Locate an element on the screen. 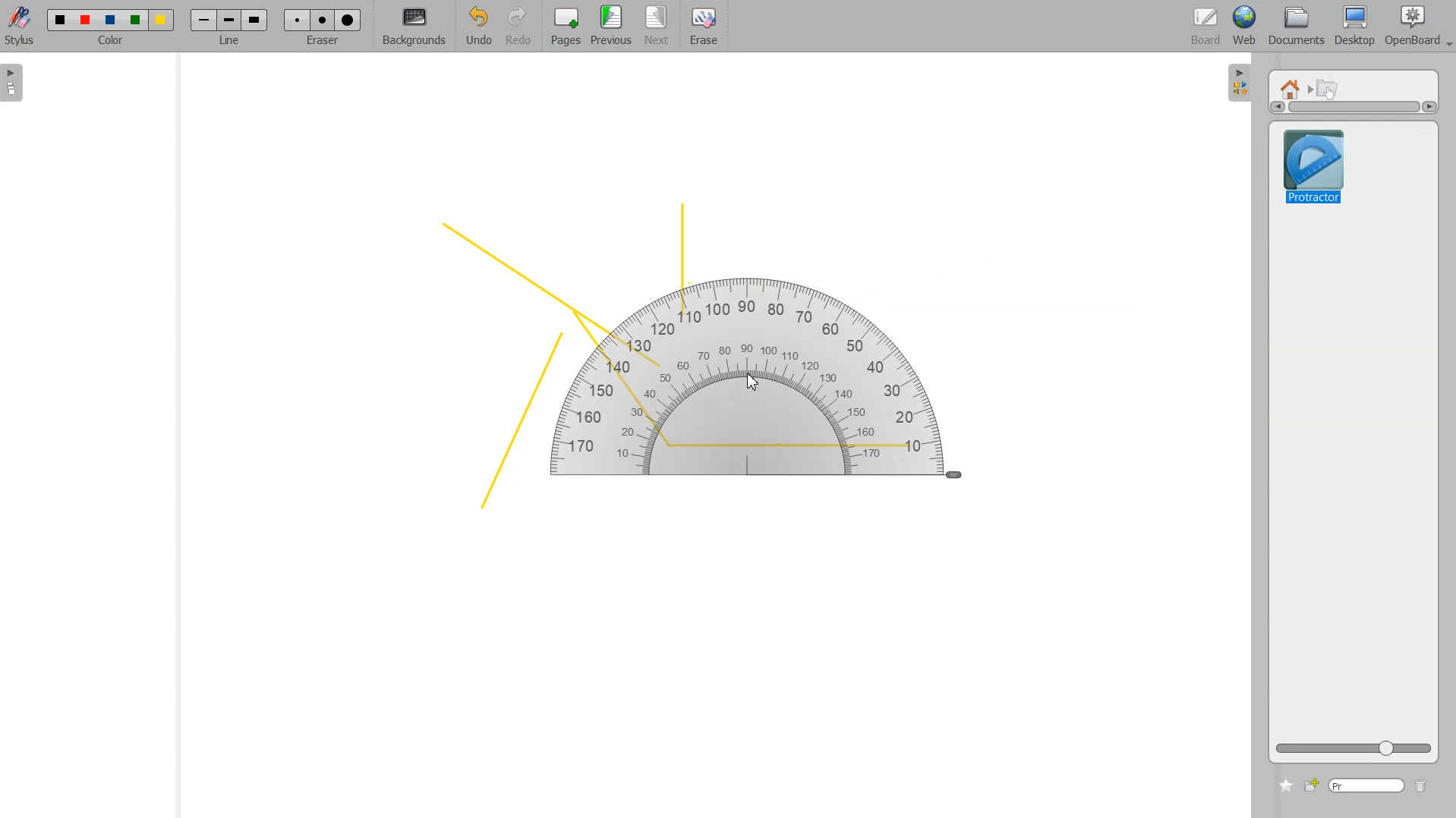  color is located at coordinates (112, 42).